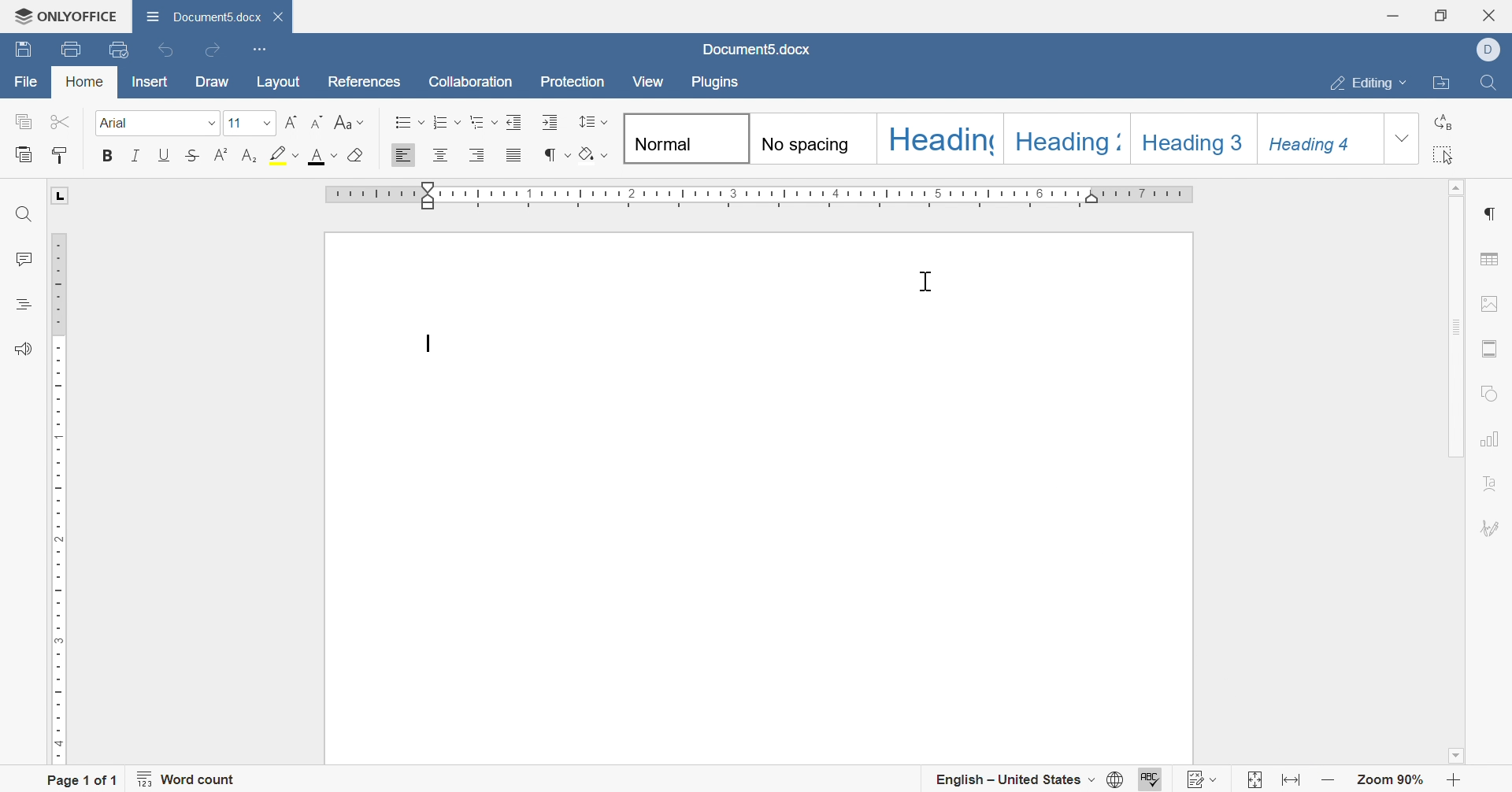 This screenshot has width=1512, height=792. Describe the element at coordinates (138, 155) in the screenshot. I see `italic` at that location.